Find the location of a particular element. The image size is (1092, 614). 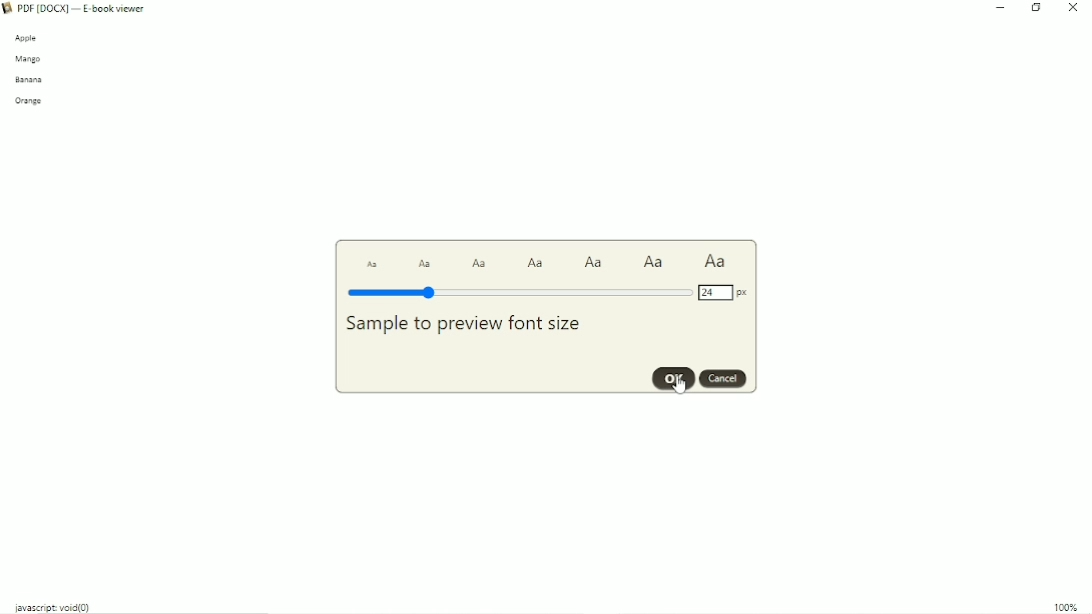

Text size is located at coordinates (537, 263).